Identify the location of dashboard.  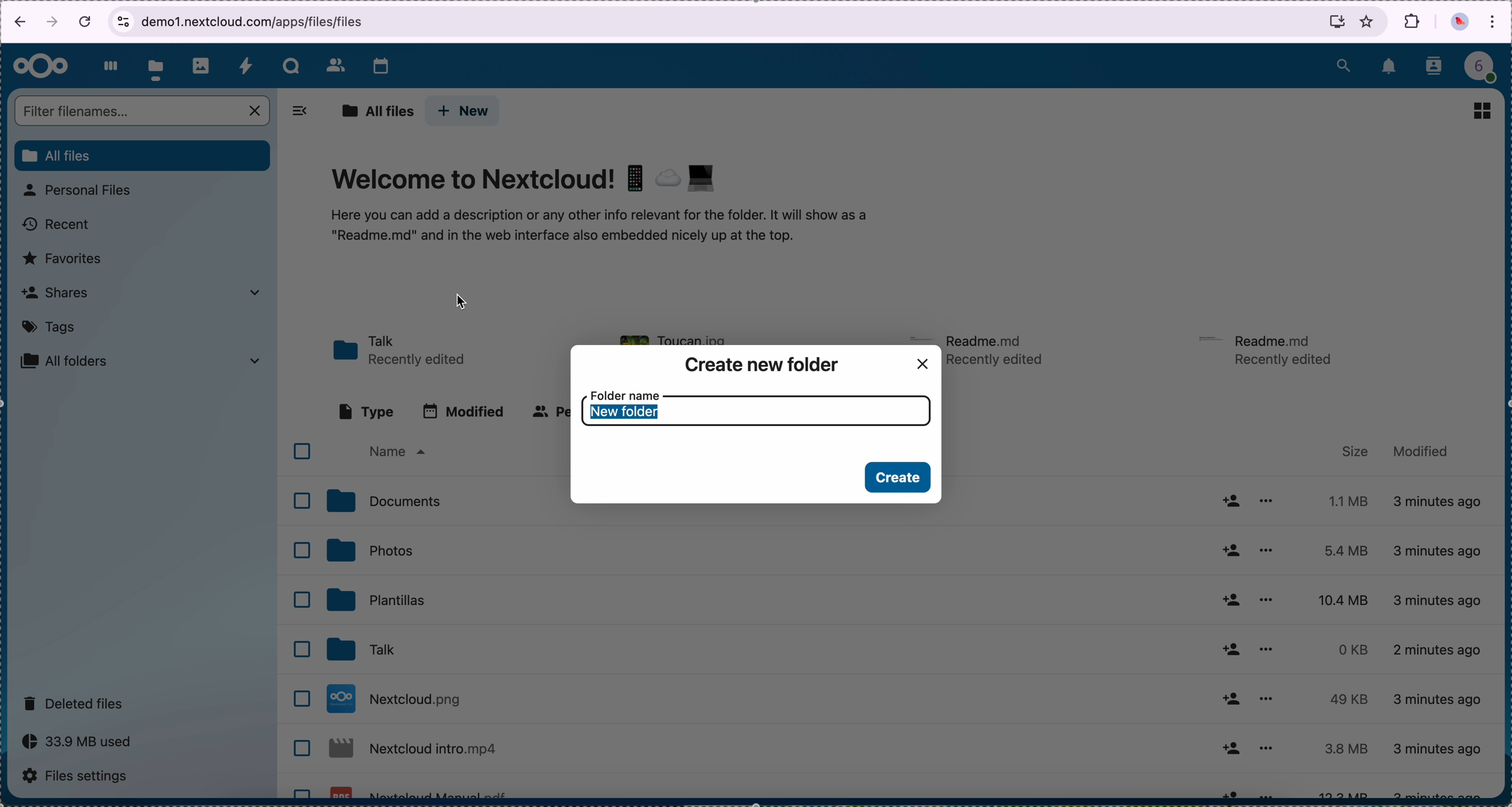
(107, 66).